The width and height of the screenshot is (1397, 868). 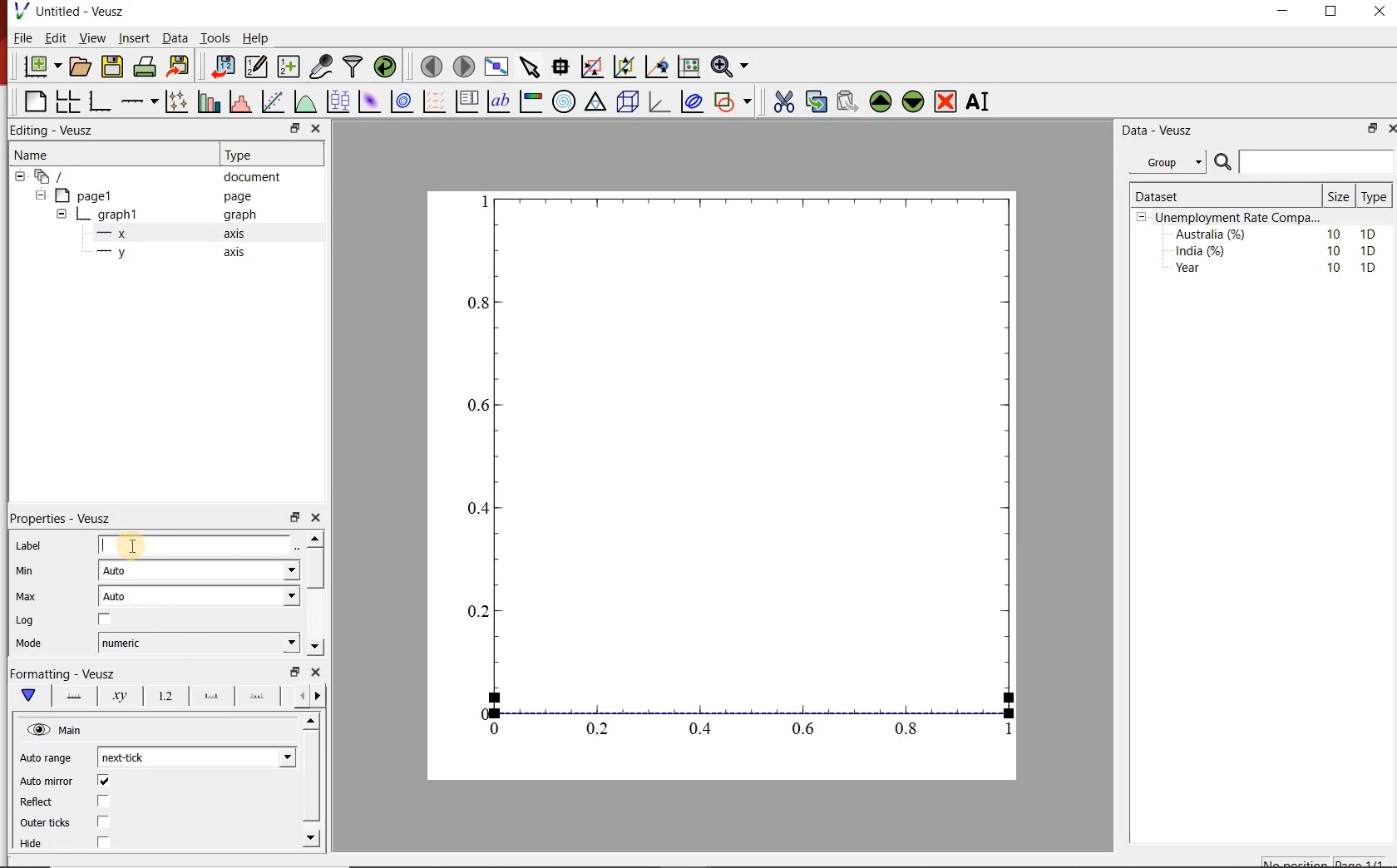 I want to click on numeric, so click(x=200, y=643).